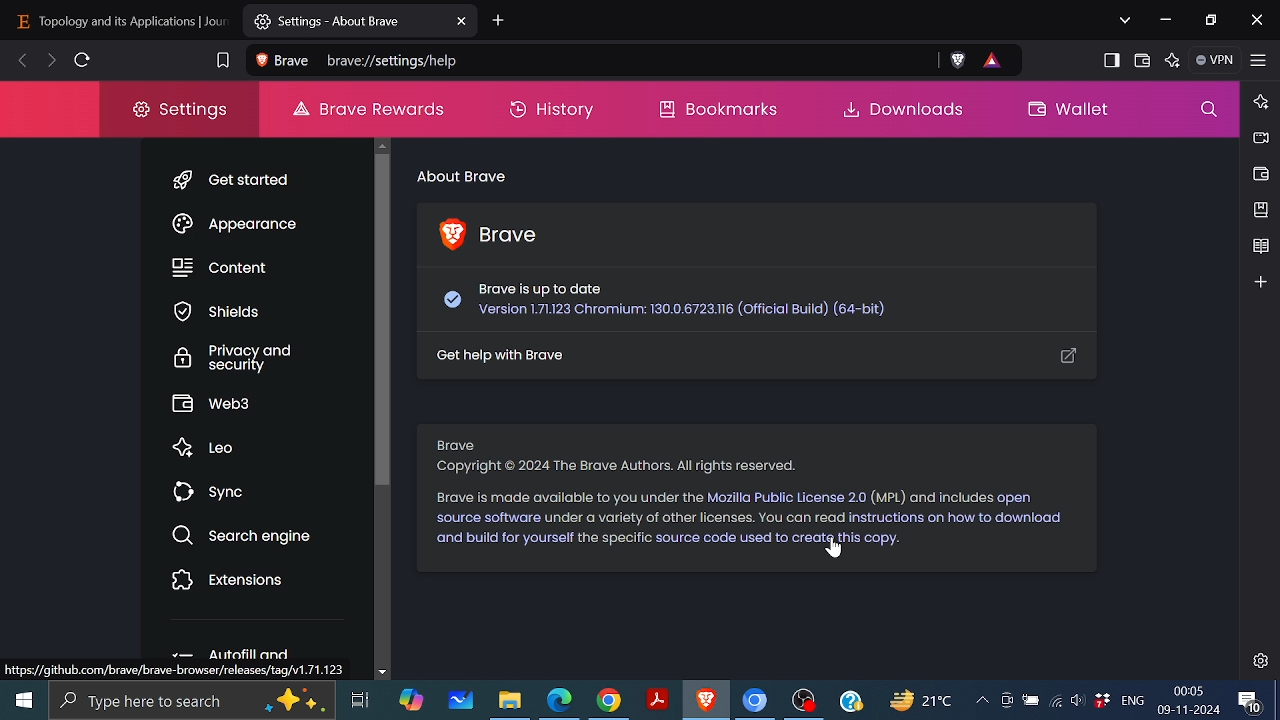 The image size is (1280, 720). What do you see at coordinates (848, 555) in the screenshot?
I see `cursor` at bounding box center [848, 555].